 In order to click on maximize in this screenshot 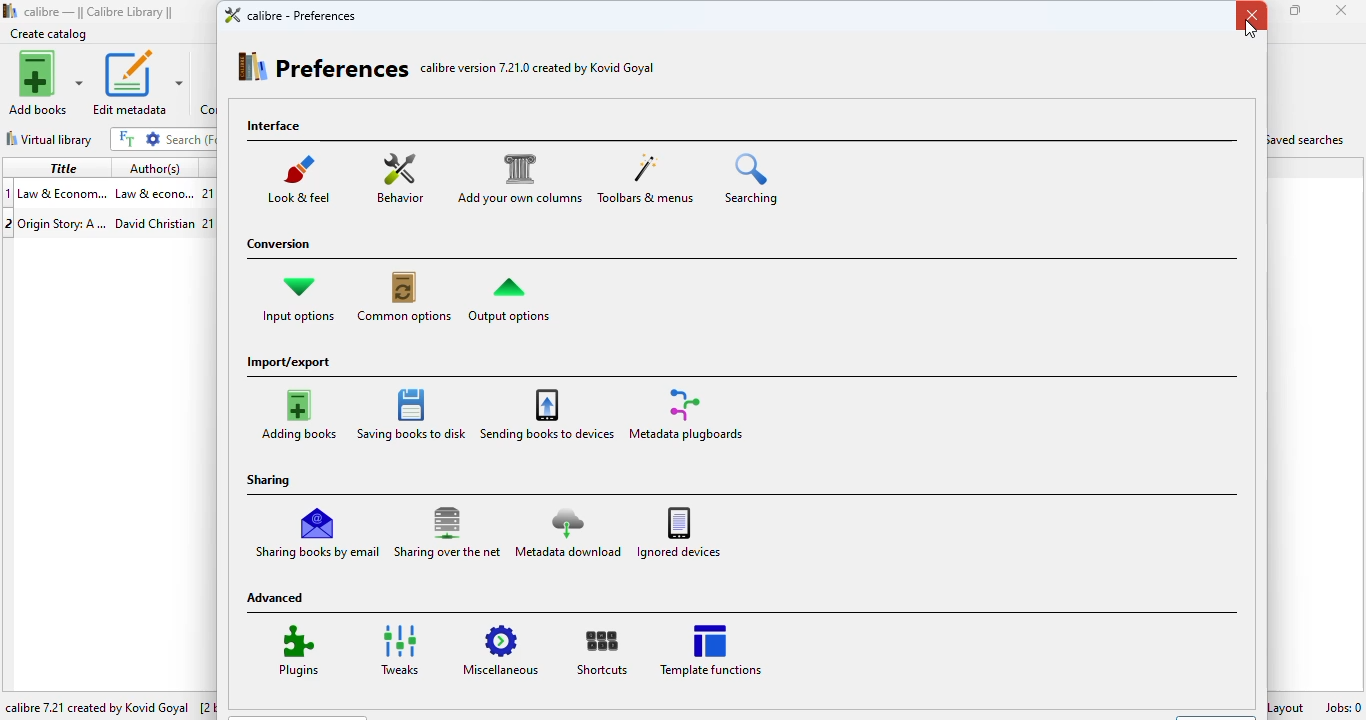, I will do `click(1296, 10)`.